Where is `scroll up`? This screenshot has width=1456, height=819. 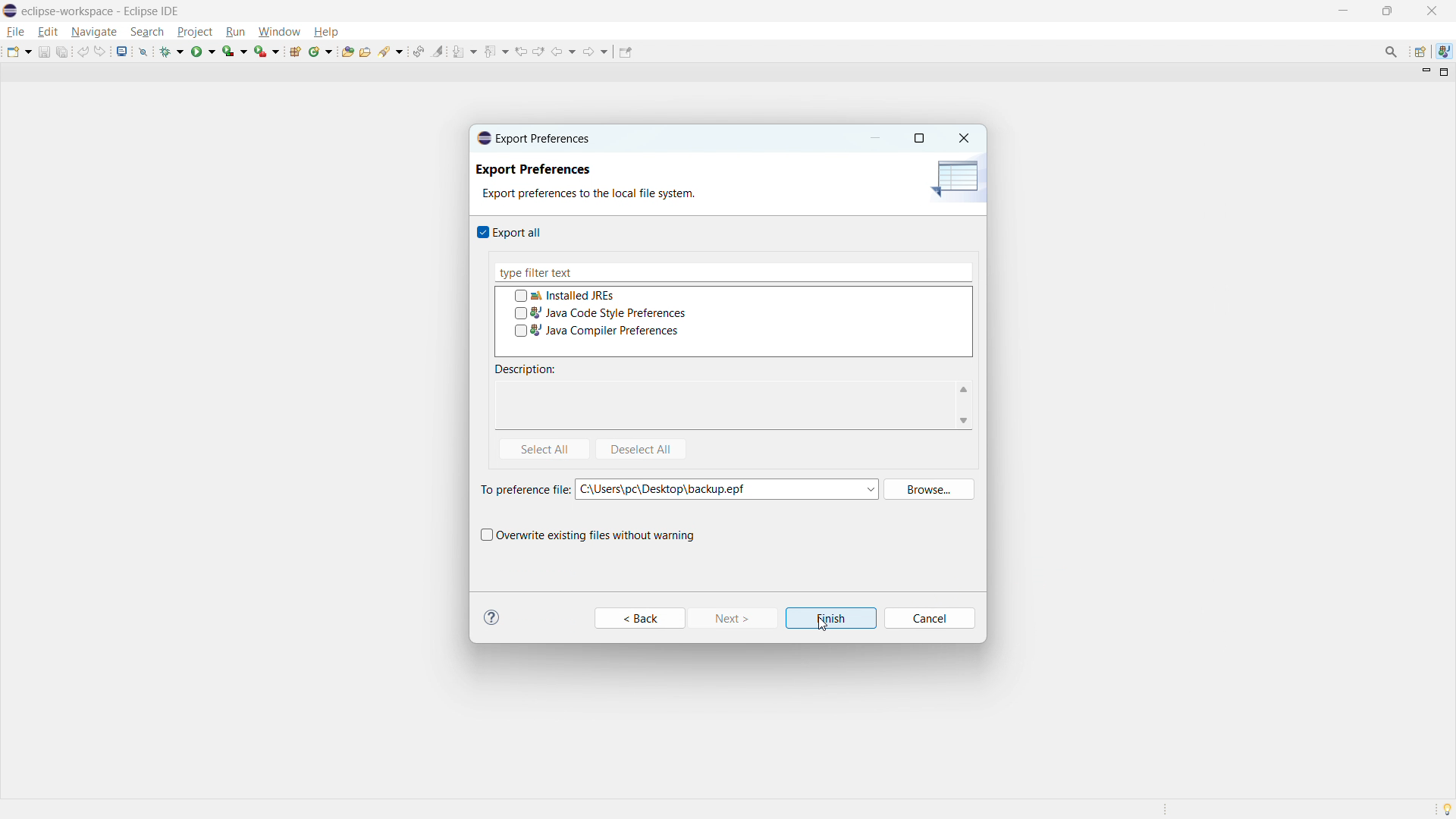 scroll up is located at coordinates (962, 388).